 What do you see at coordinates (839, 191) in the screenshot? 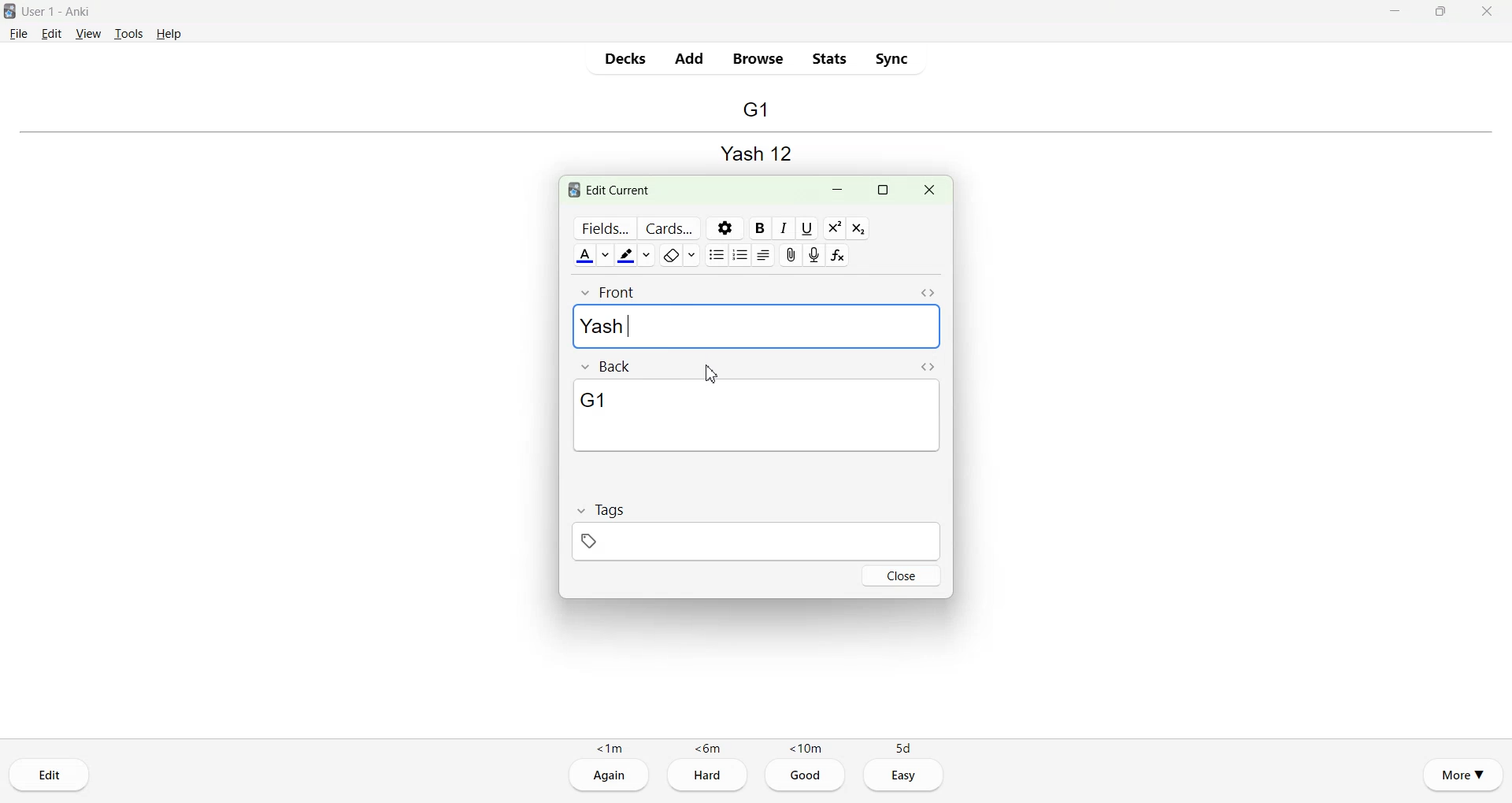
I see `Minimize` at bounding box center [839, 191].